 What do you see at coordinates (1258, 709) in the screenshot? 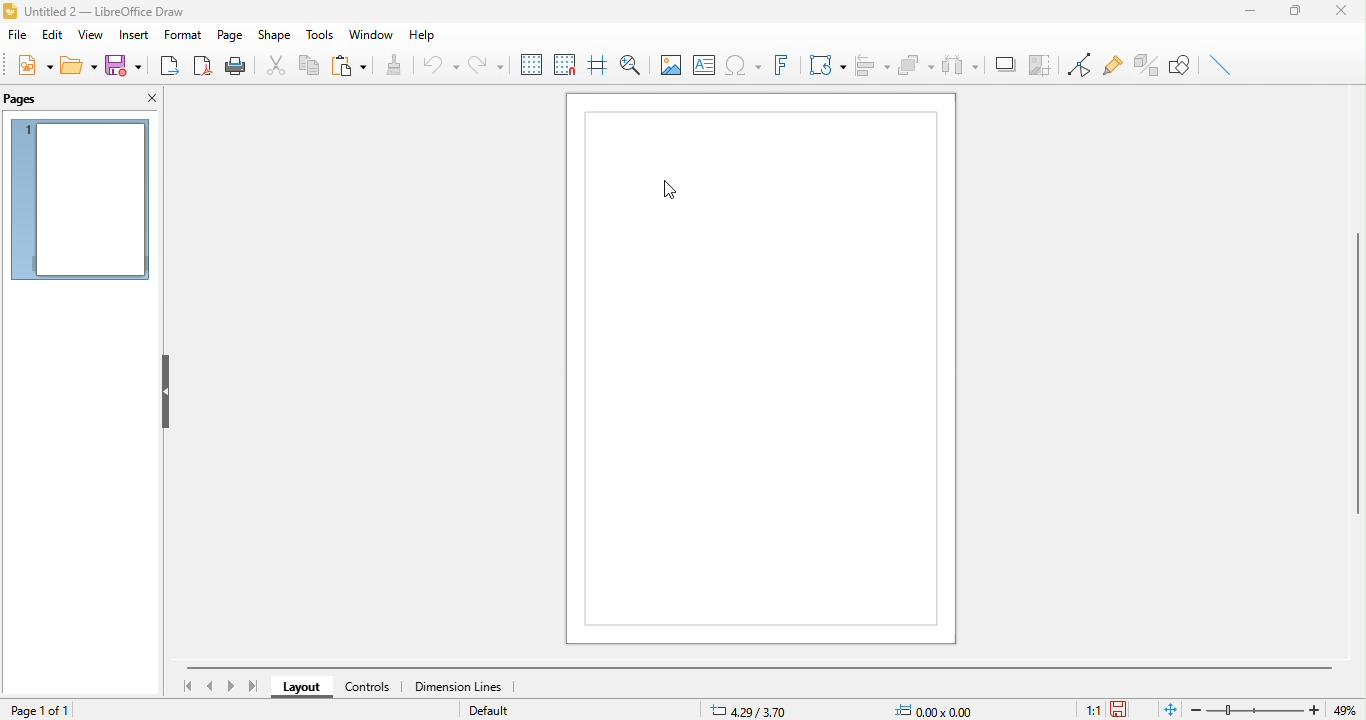
I see `zoom` at bounding box center [1258, 709].